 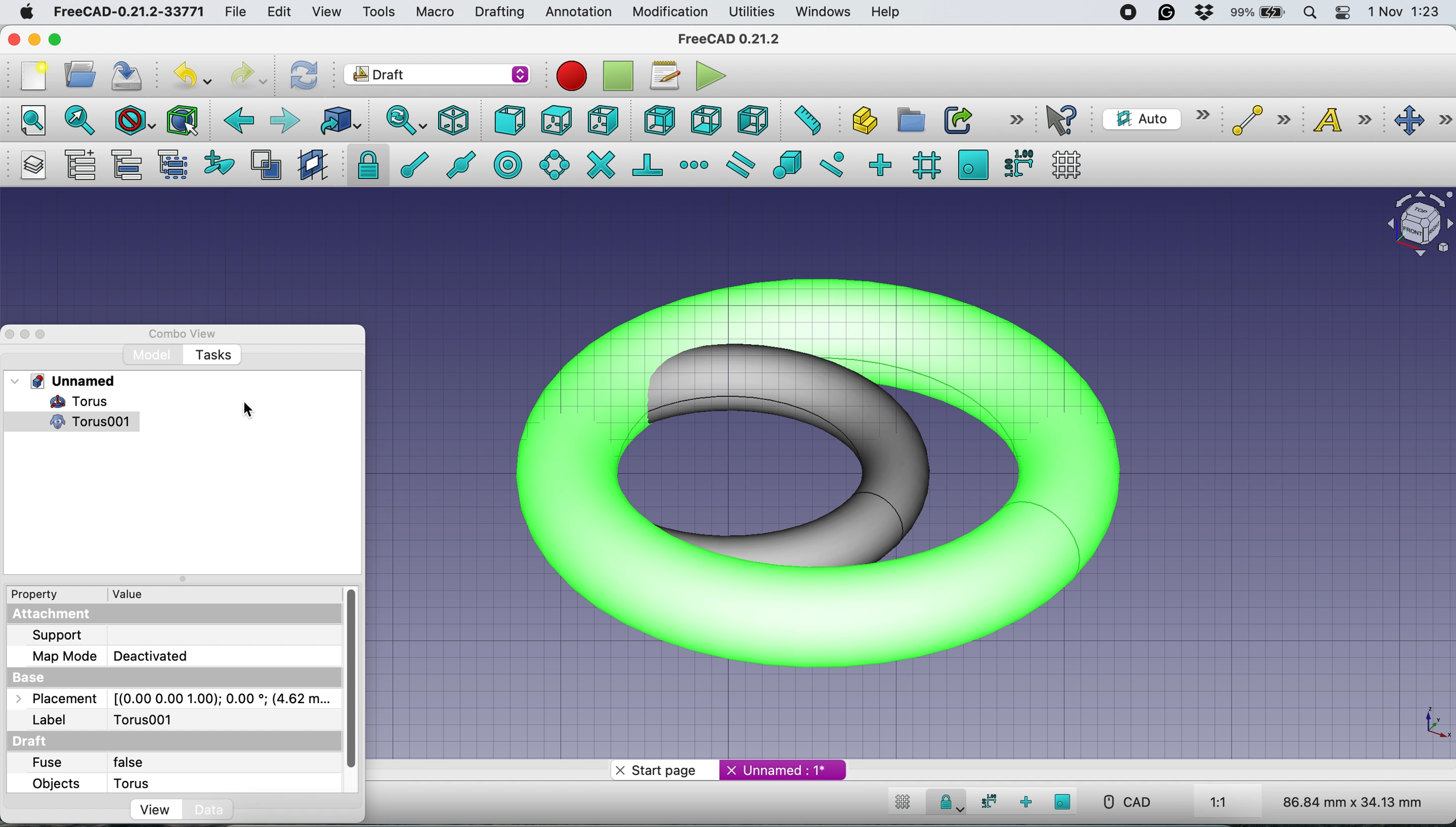 What do you see at coordinates (131, 74) in the screenshot?
I see `save` at bounding box center [131, 74].